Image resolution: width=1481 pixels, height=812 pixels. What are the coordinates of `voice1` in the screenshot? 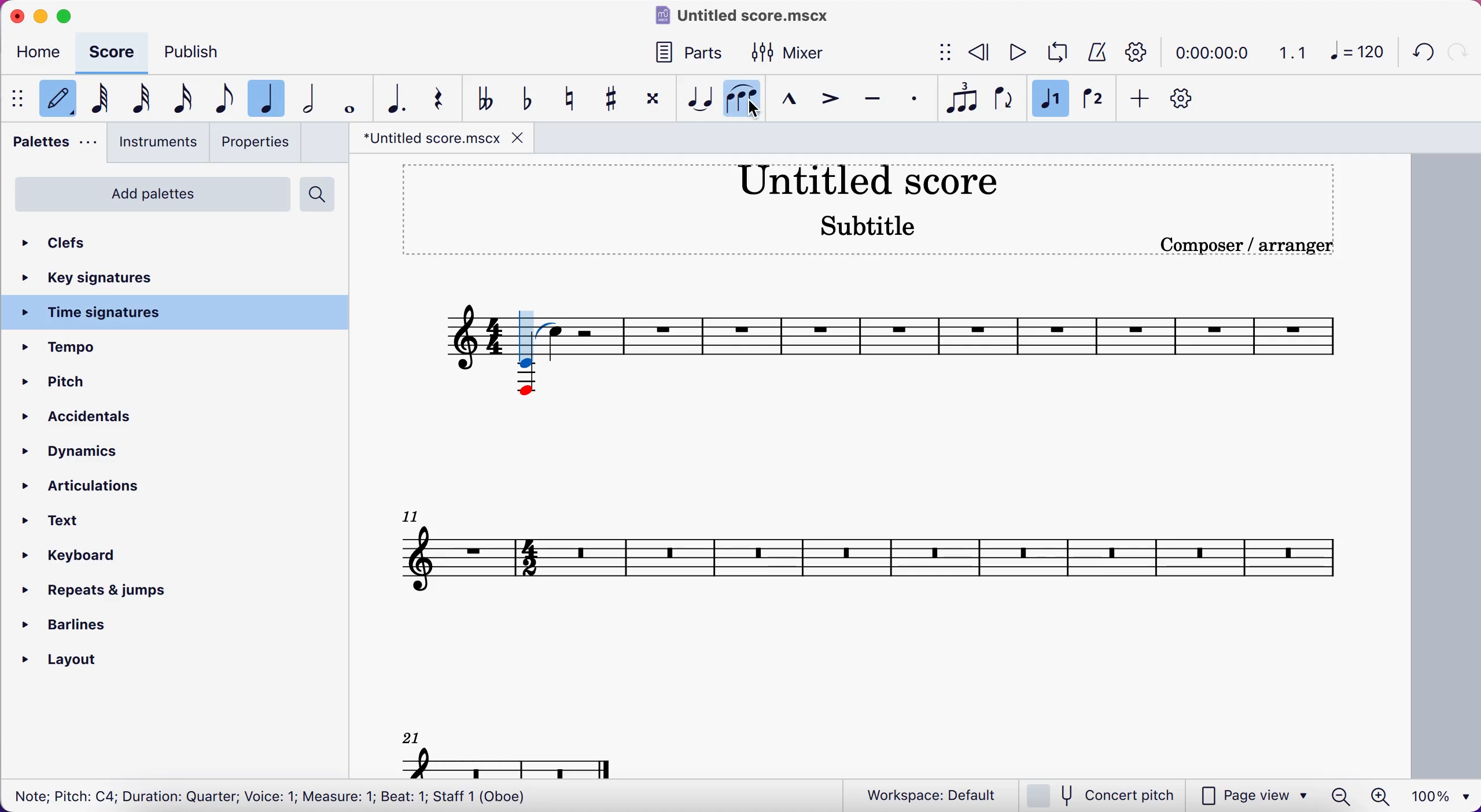 It's located at (1049, 99).